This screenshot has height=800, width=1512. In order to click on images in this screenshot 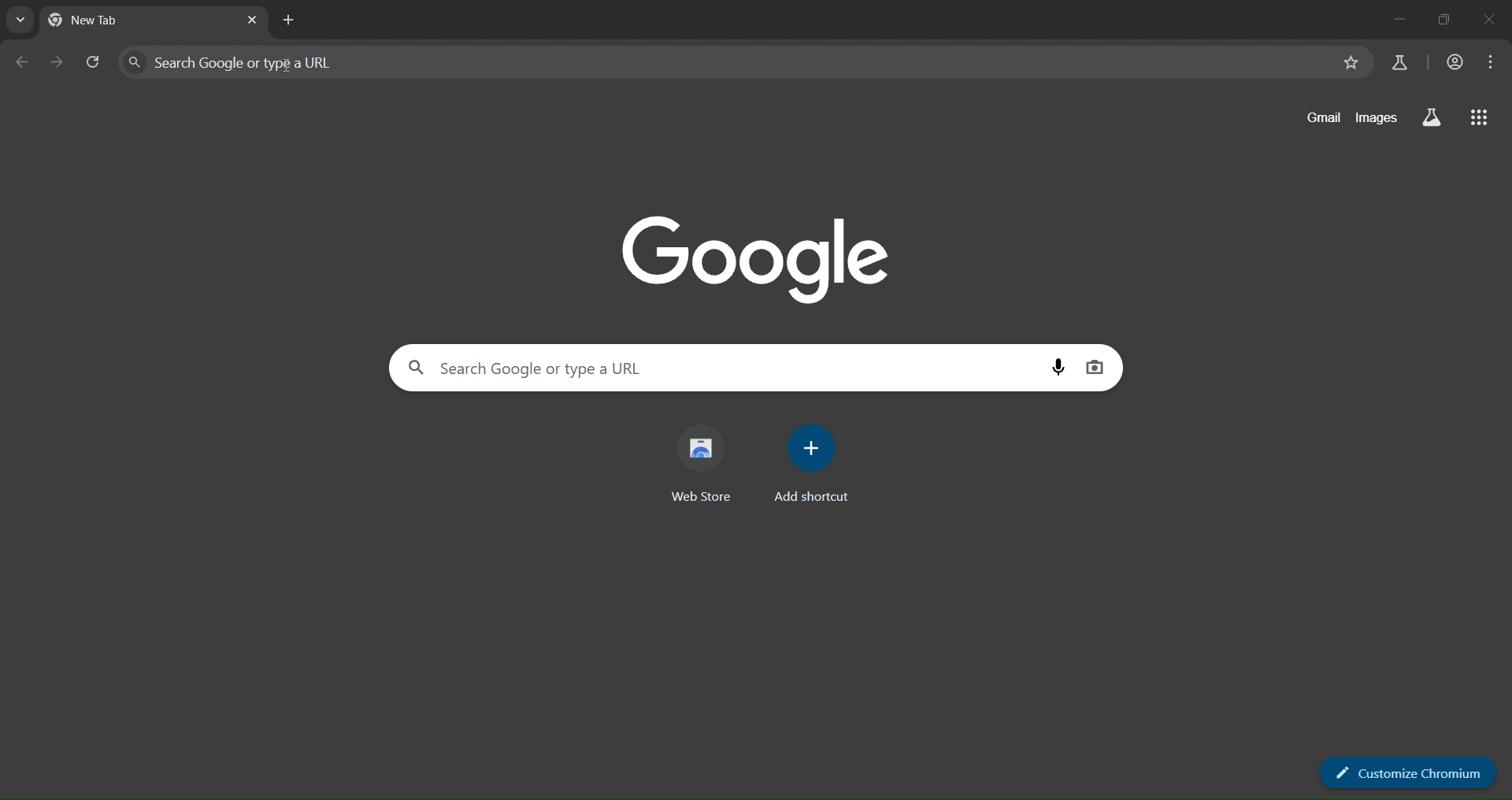, I will do `click(1380, 120)`.